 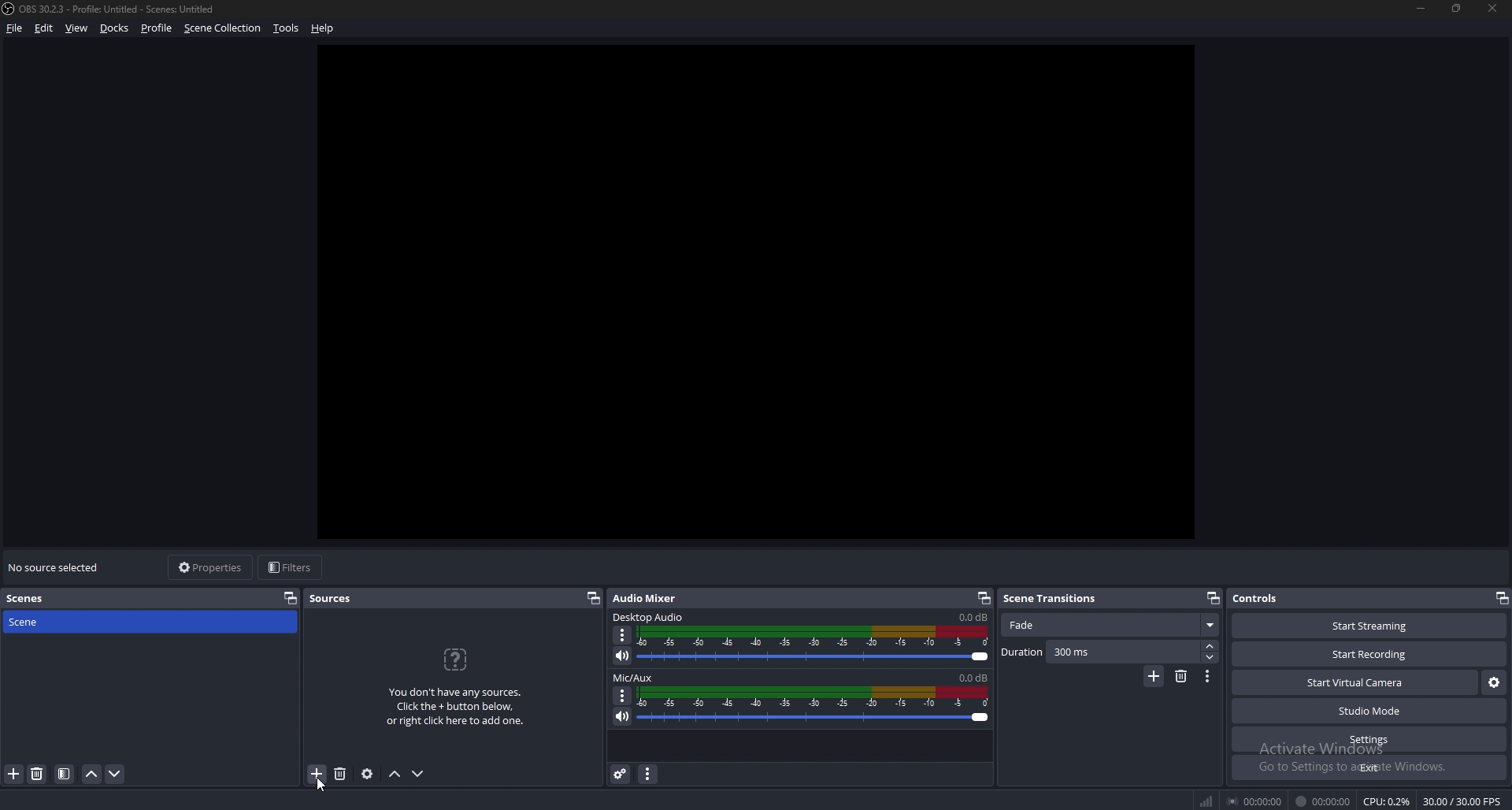 I want to click on OBS LOGO, so click(x=9, y=9).